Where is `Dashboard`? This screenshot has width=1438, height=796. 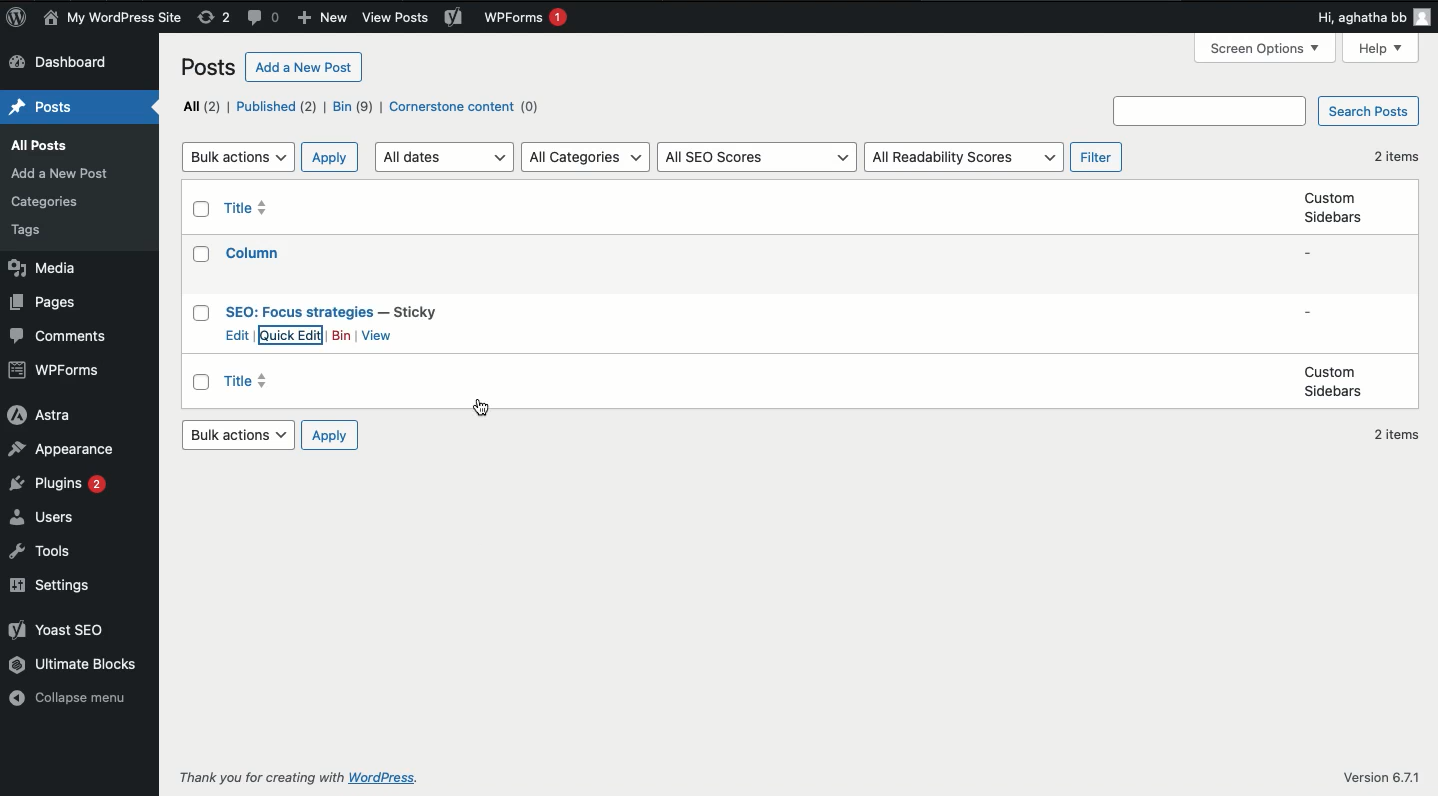
Dashboard is located at coordinates (61, 64).